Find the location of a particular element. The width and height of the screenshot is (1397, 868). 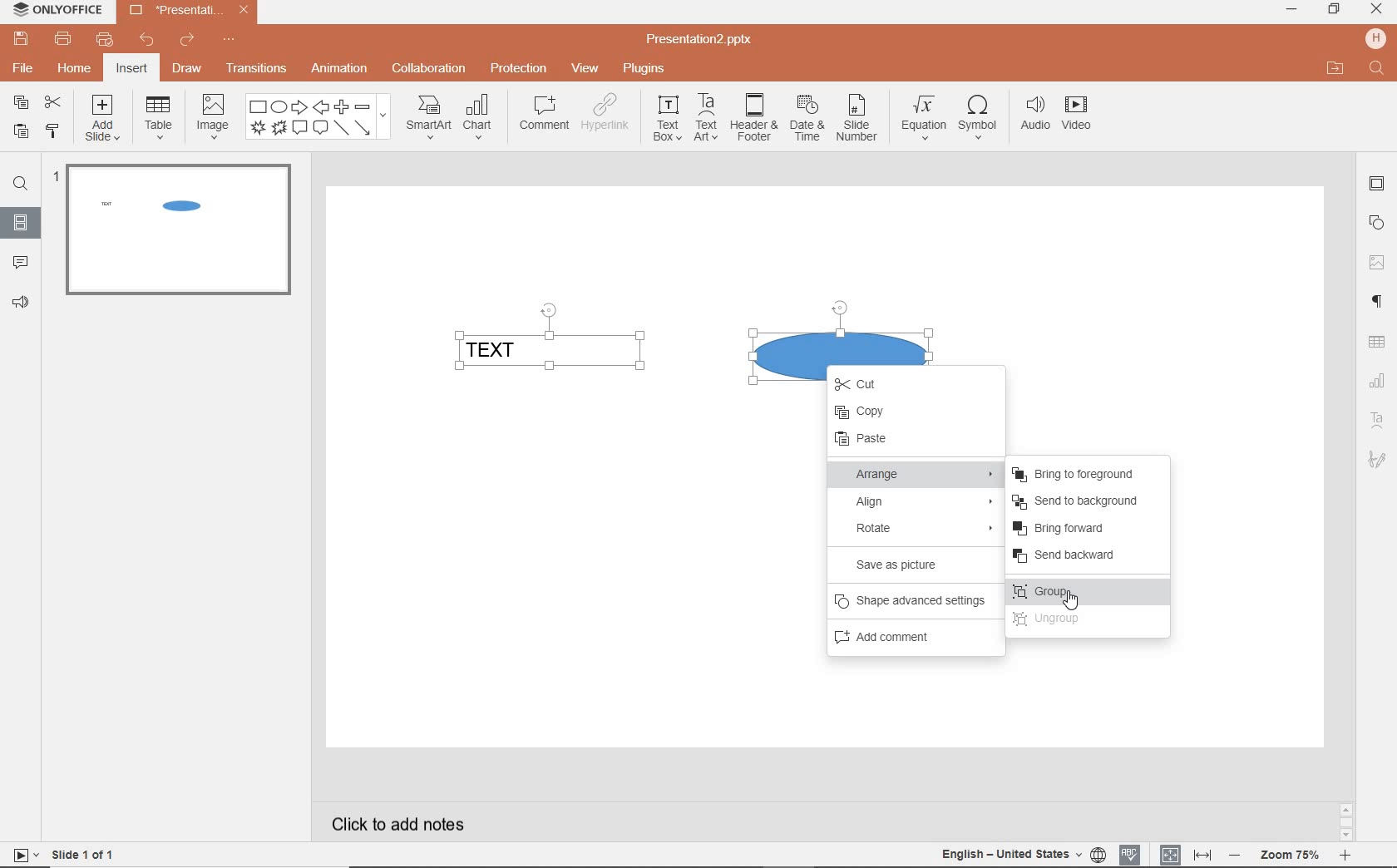

print is located at coordinates (64, 39).